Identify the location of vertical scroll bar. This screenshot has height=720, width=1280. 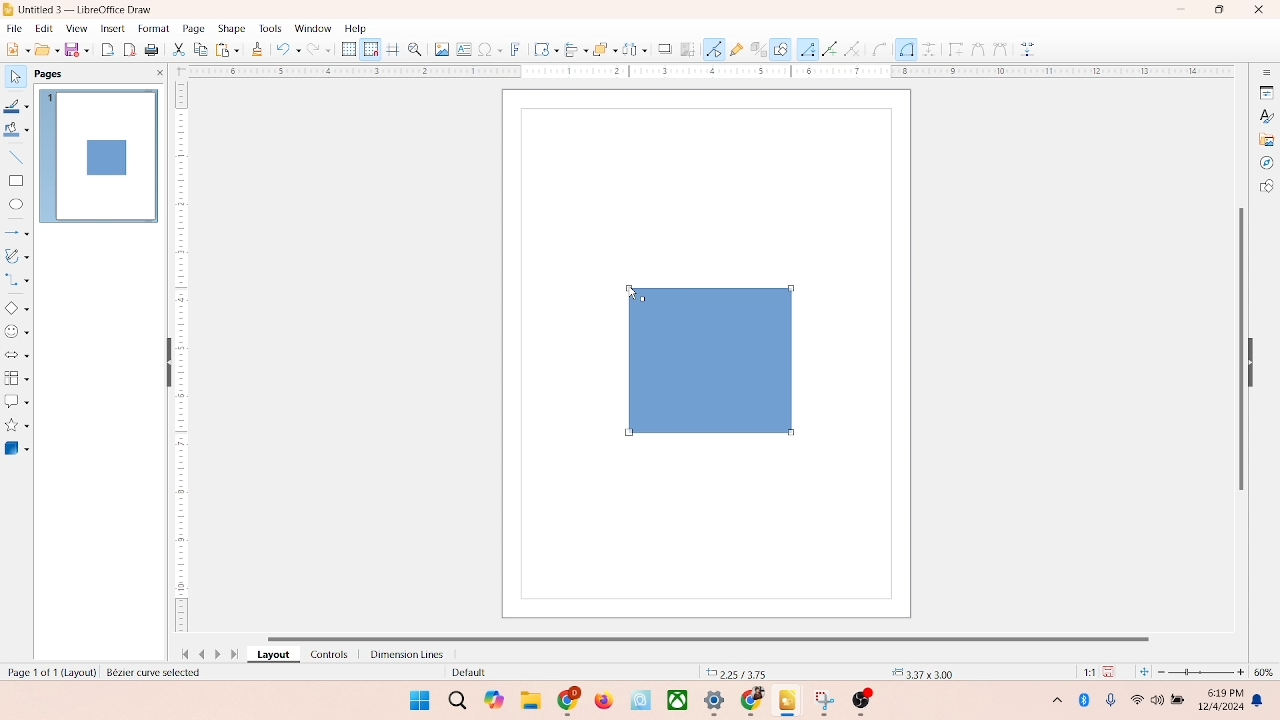
(1239, 347).